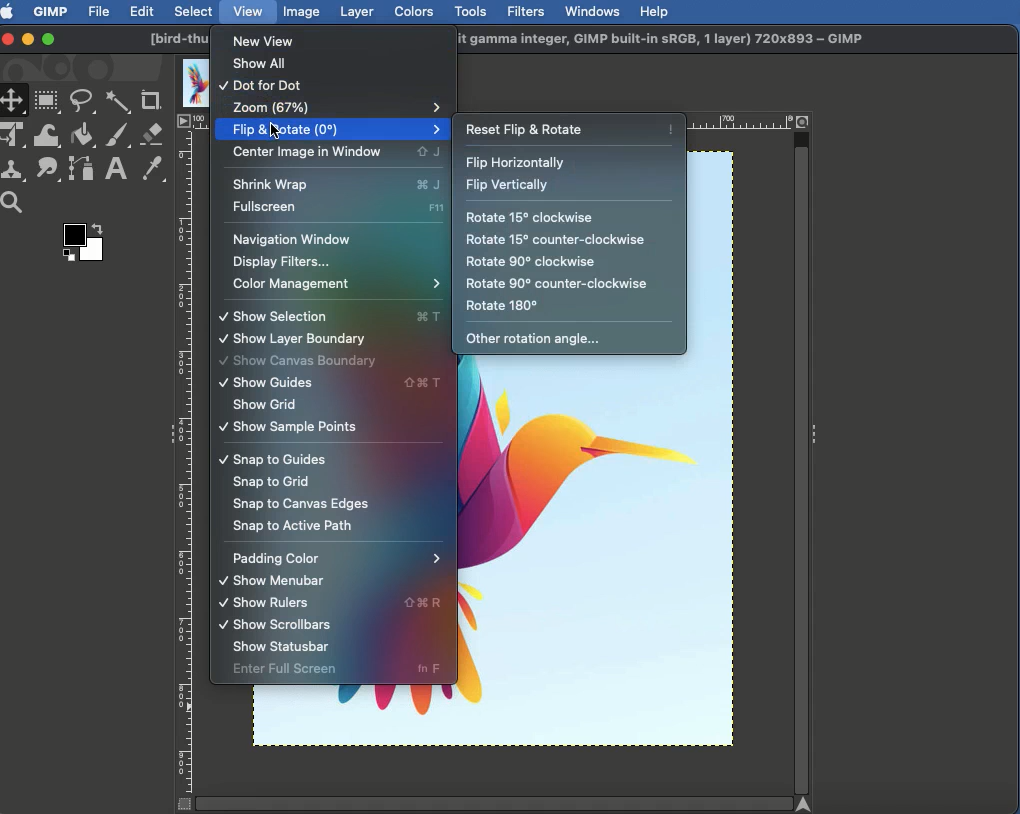 This screenshot has width=1020, height=814. Describe the element at coordinates (470, 12) in the screenshot. I see `Tools` at that location.